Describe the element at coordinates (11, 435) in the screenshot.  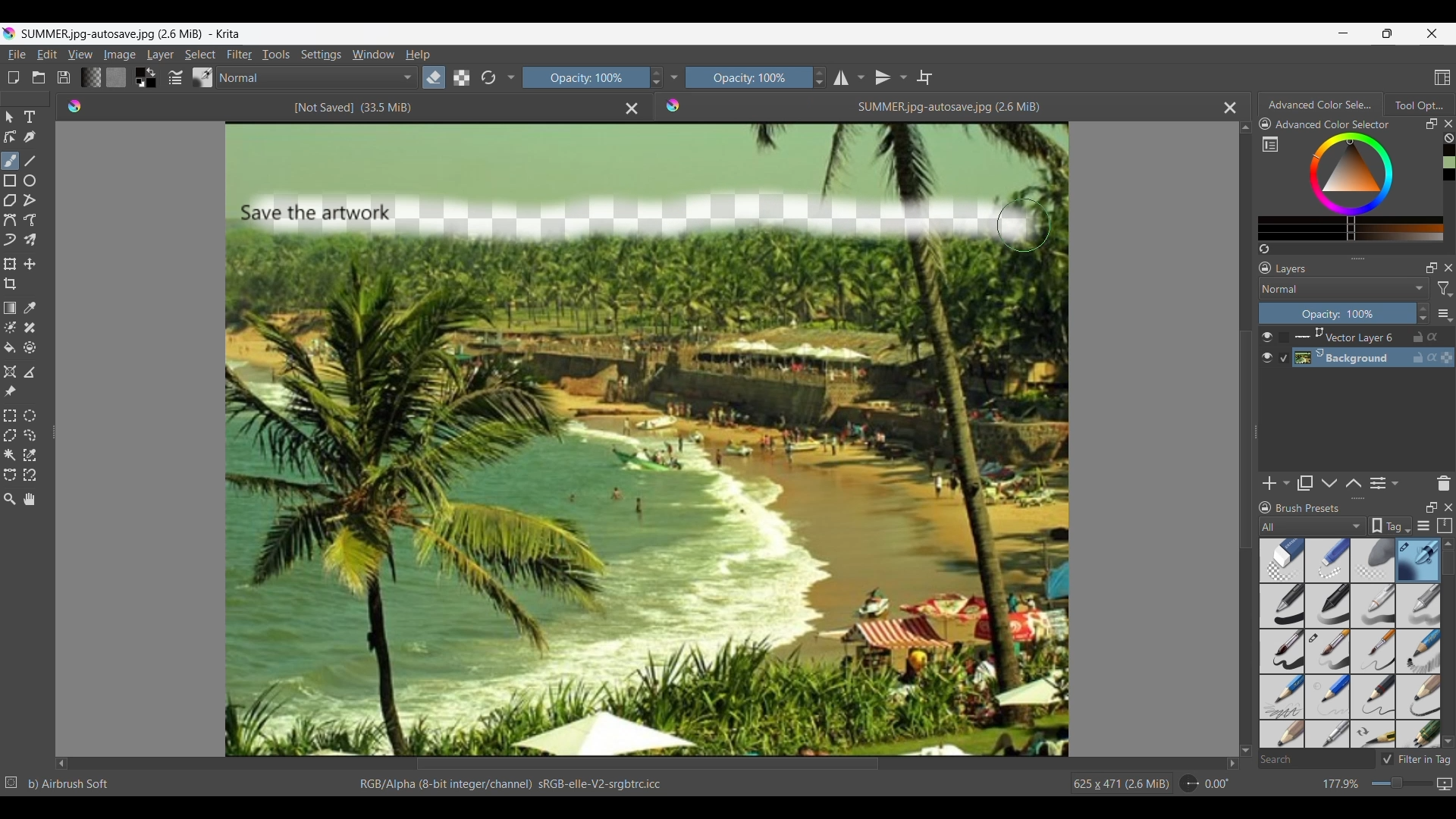
I see `Polygonal selection tool` at that location.